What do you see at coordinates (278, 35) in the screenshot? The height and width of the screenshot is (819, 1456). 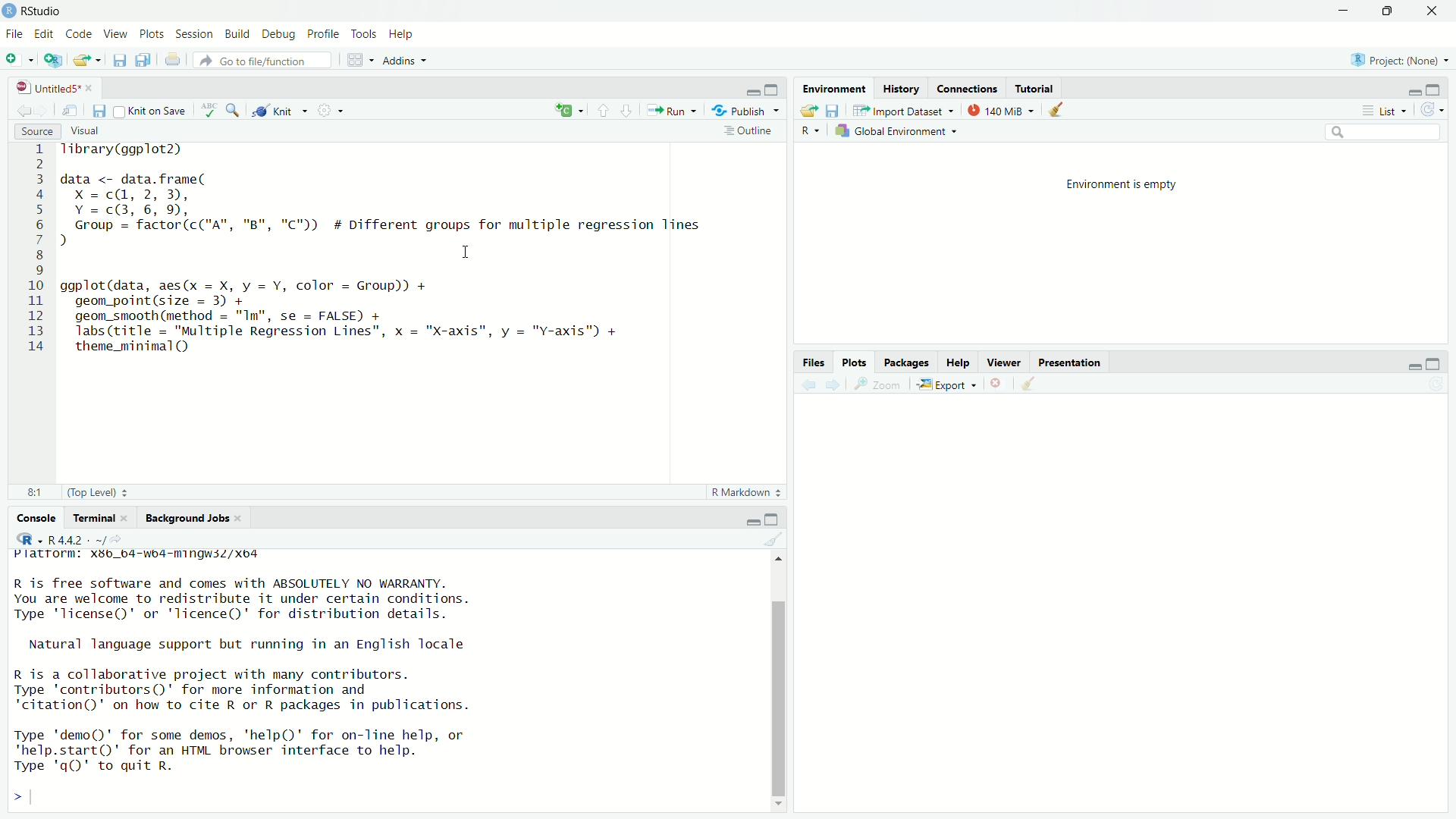 I see `Debug` at bounding box center [278, 35].